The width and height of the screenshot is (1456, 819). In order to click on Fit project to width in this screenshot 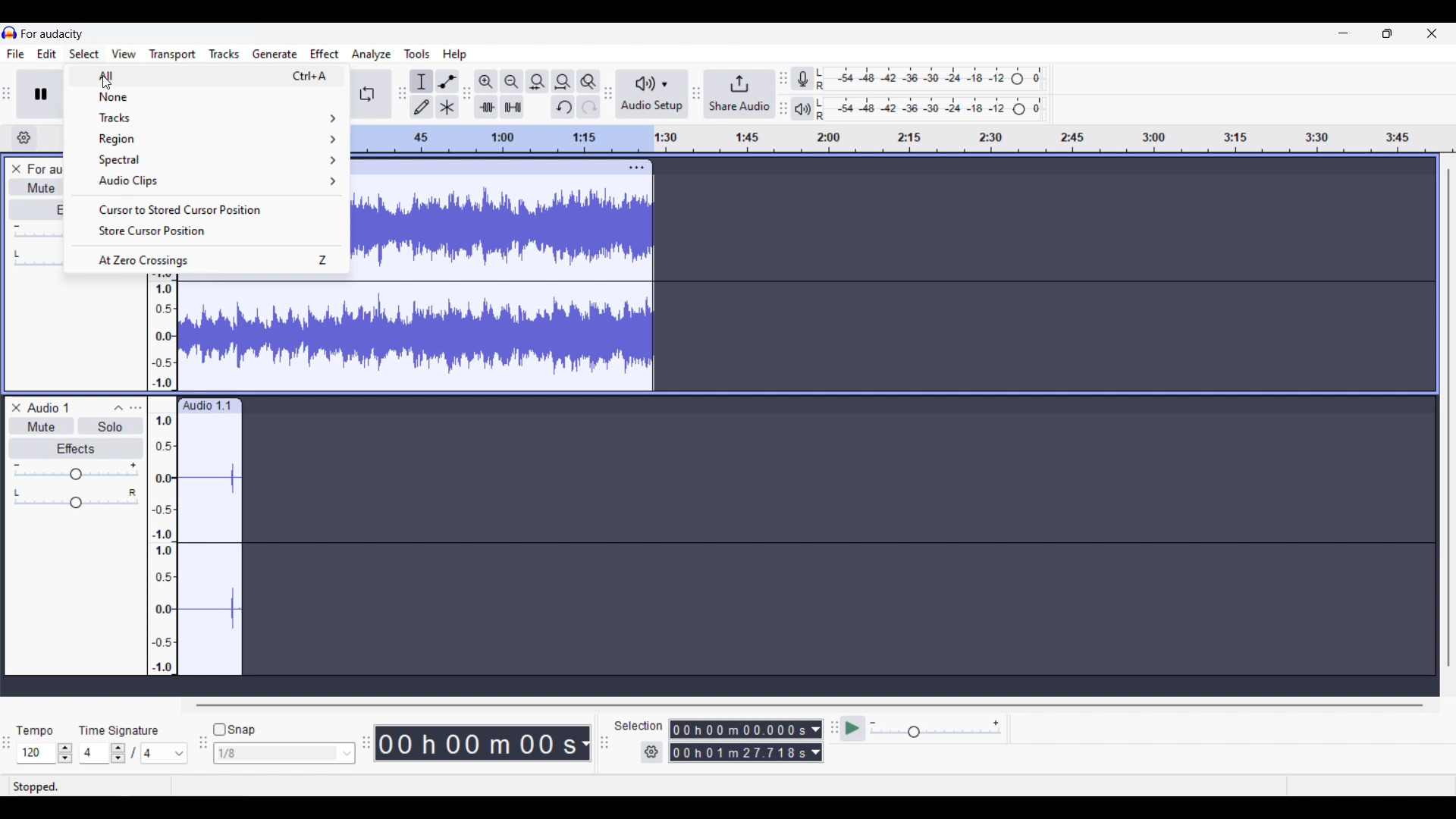, I will do `click(563, 82)`.